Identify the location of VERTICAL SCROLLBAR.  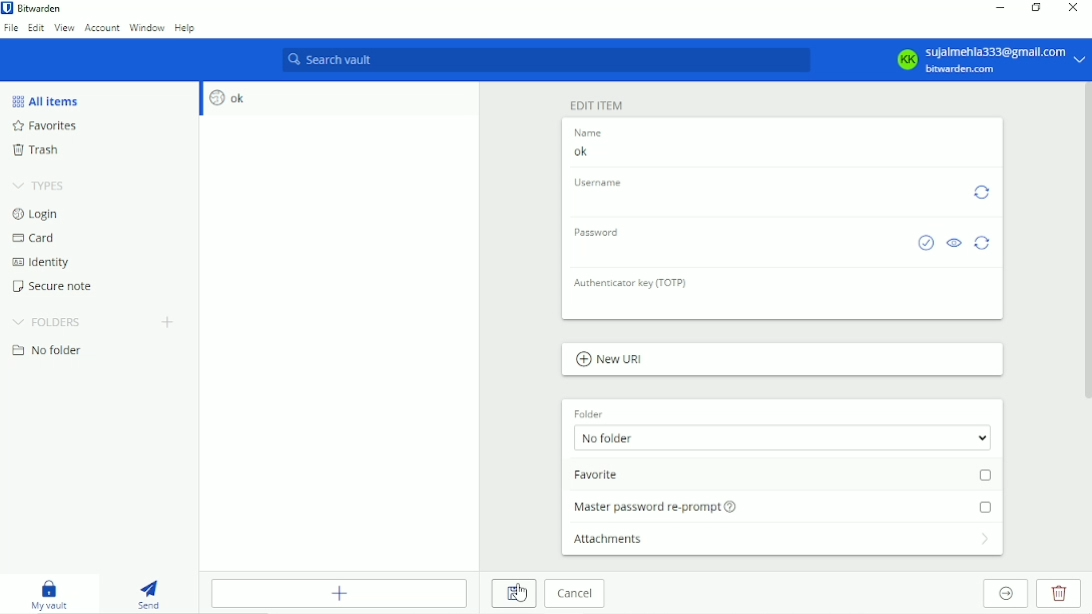
(1088, 241).